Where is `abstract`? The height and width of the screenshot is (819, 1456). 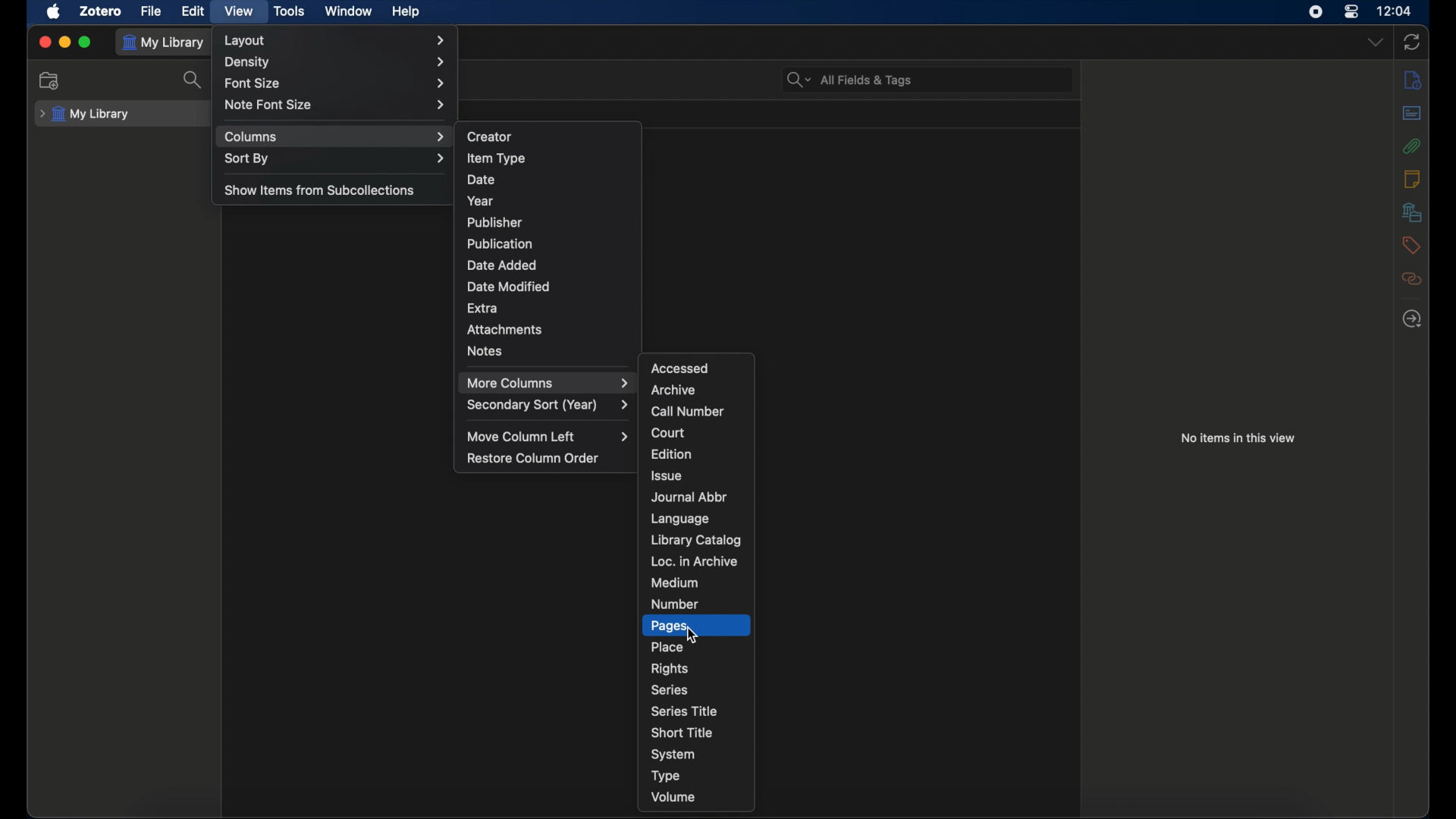 abstract is located at coordinates (1411, 113).